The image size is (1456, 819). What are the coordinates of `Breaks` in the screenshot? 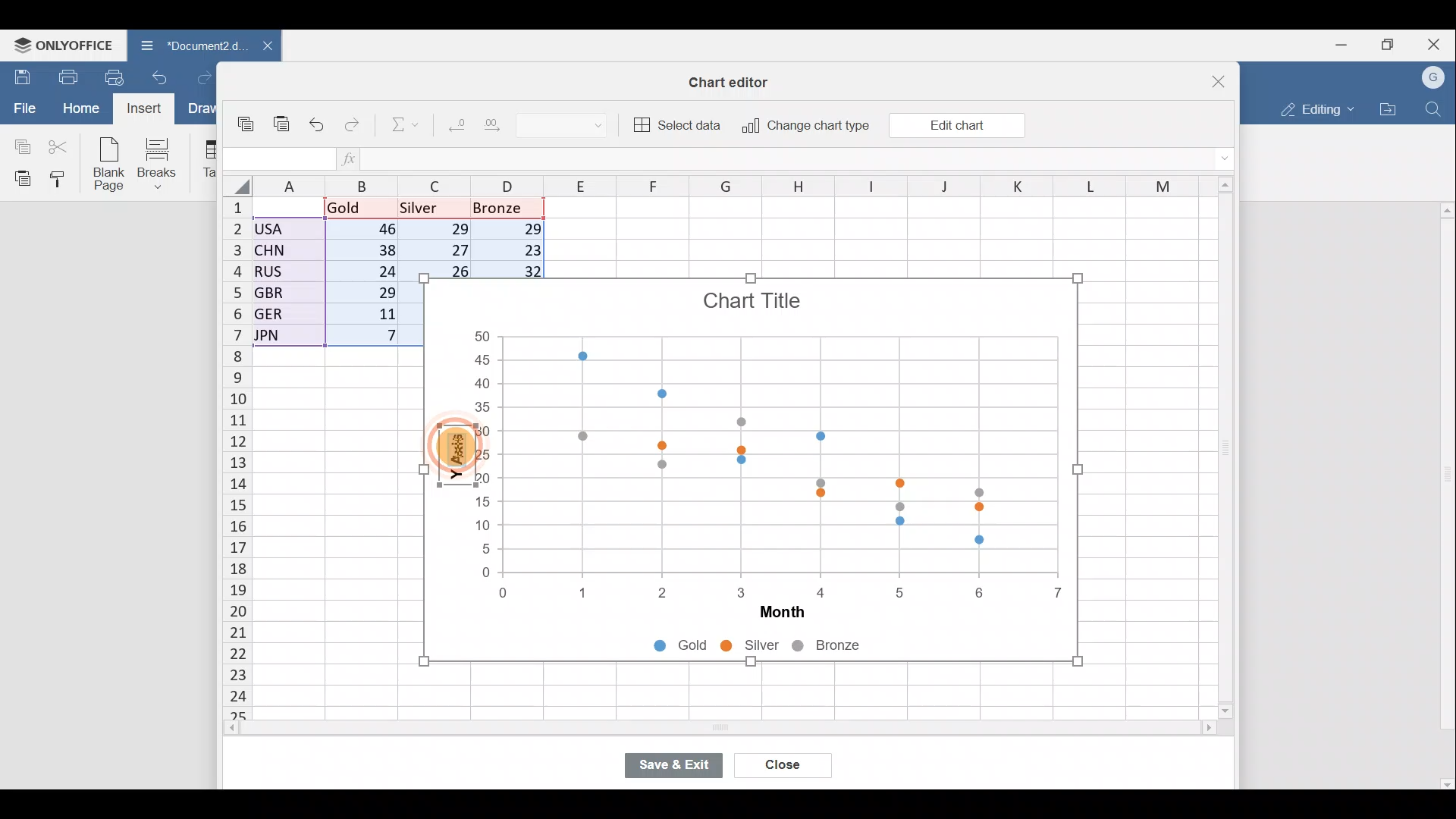 It's located at (163, 162).